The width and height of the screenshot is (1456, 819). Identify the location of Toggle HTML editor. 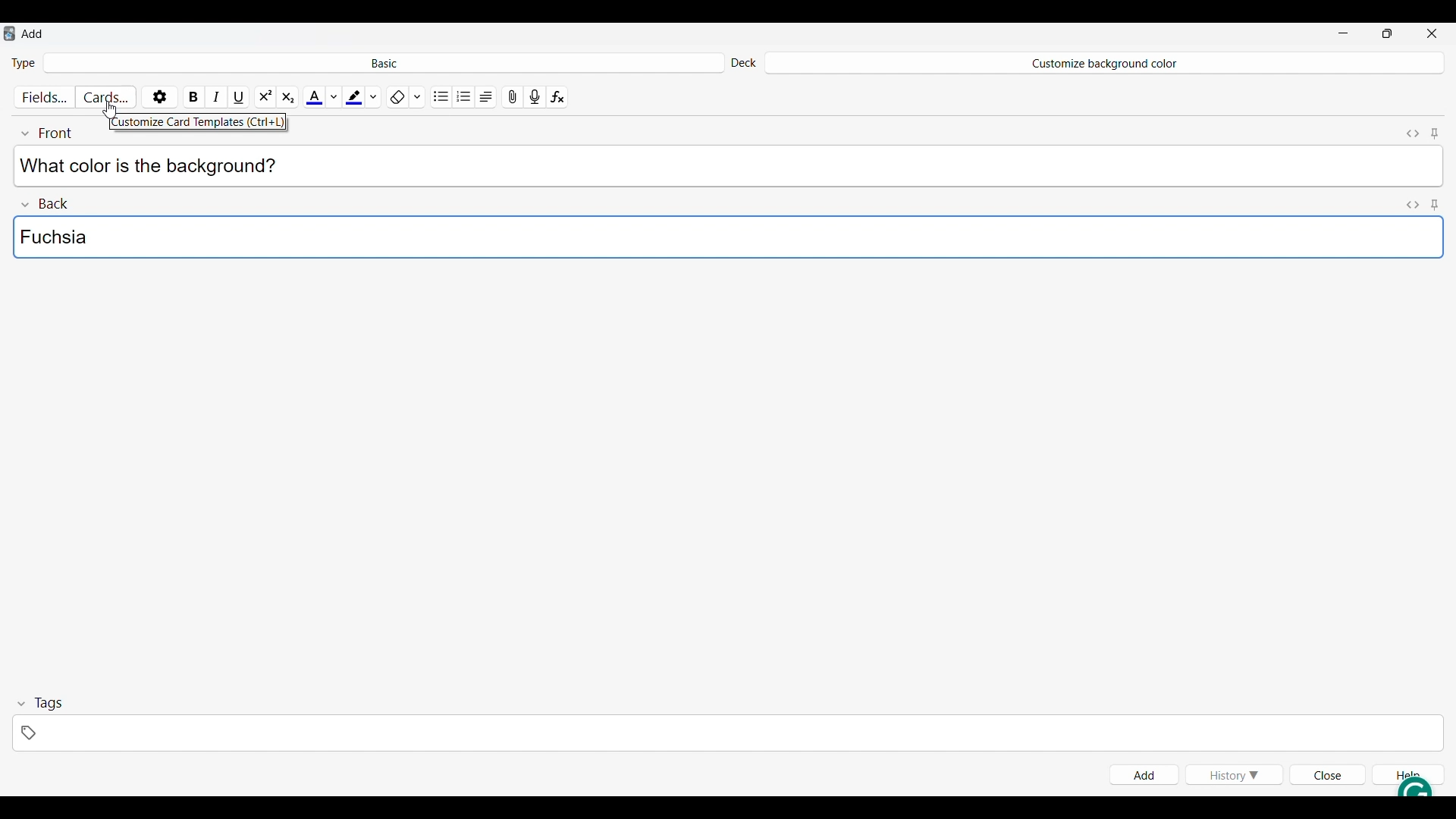
(1414, 203).